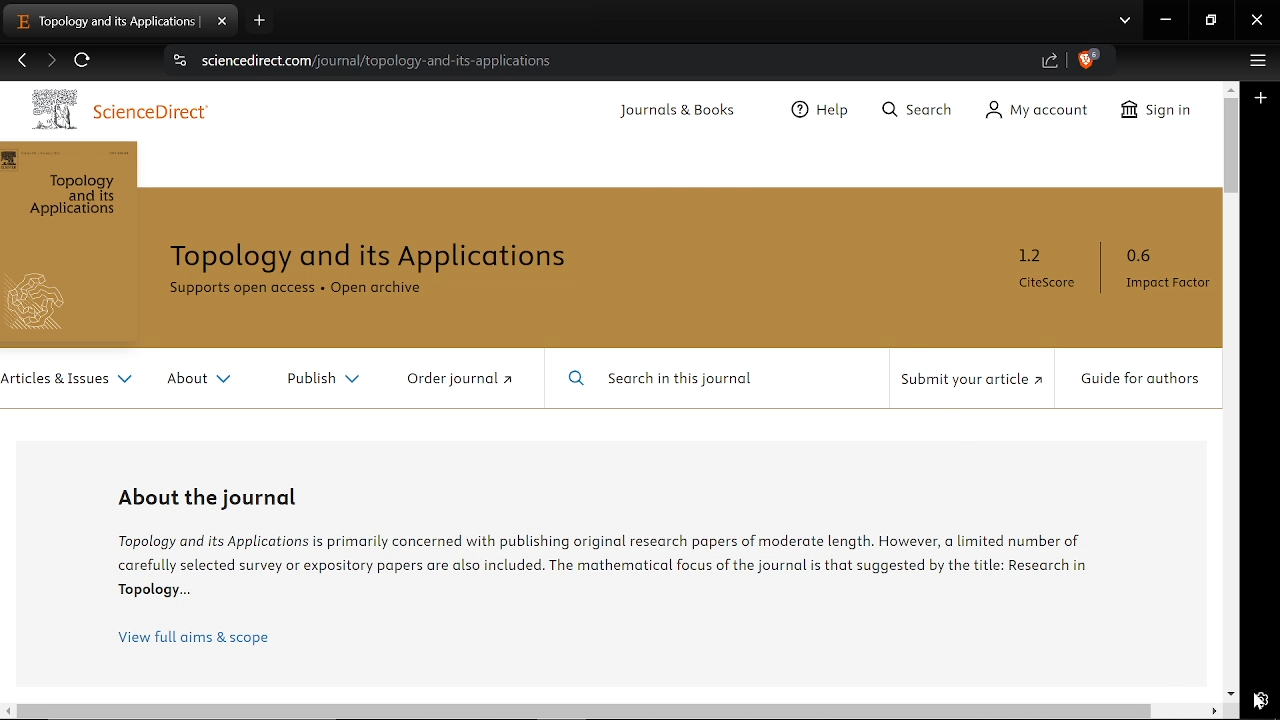 The height and width of the screenshot is (720, 1280). I want to click on REstore down, so click(1213, 21).